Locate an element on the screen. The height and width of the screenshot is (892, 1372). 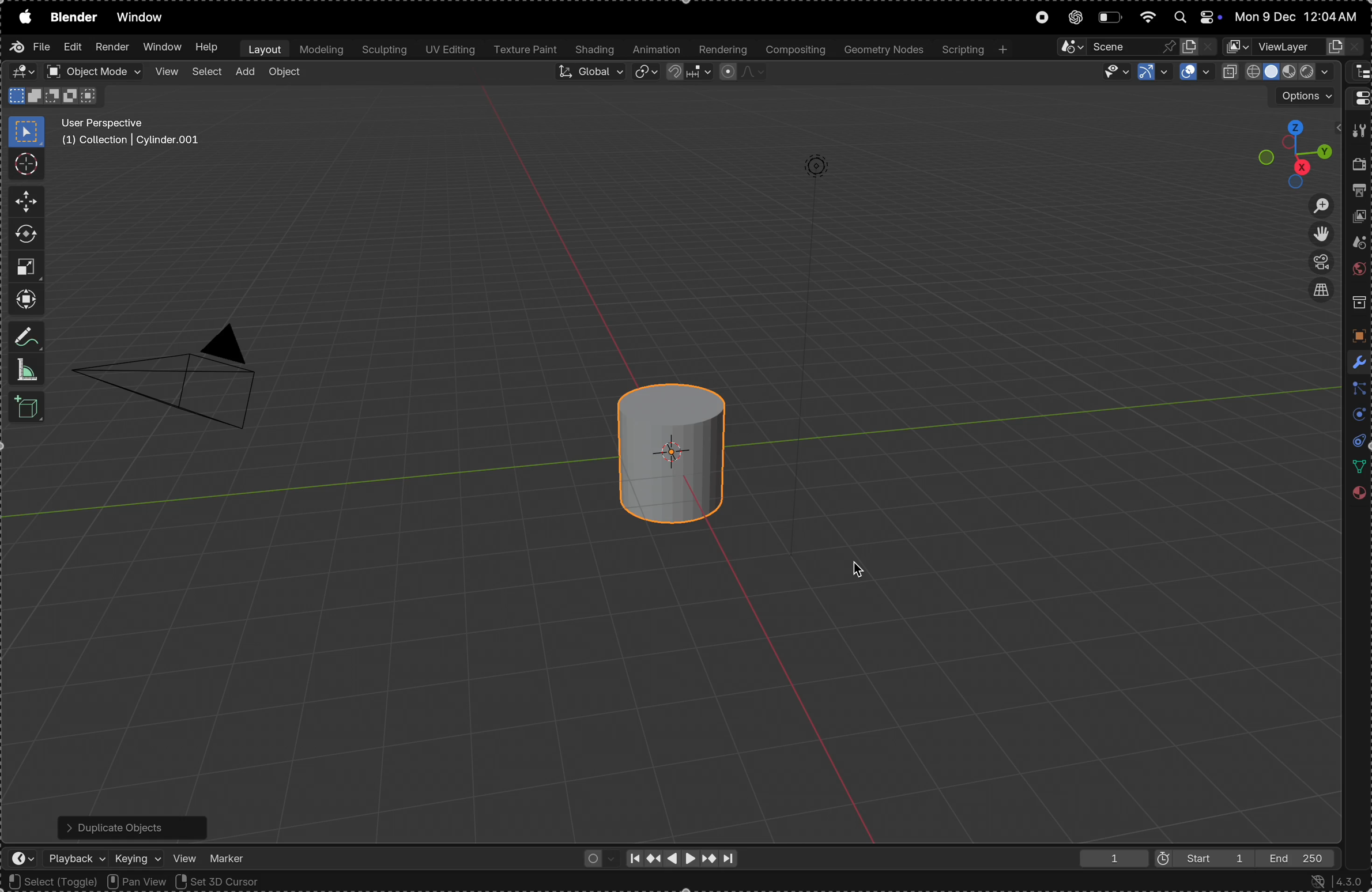
out put is located at coordinates (1359, 192).